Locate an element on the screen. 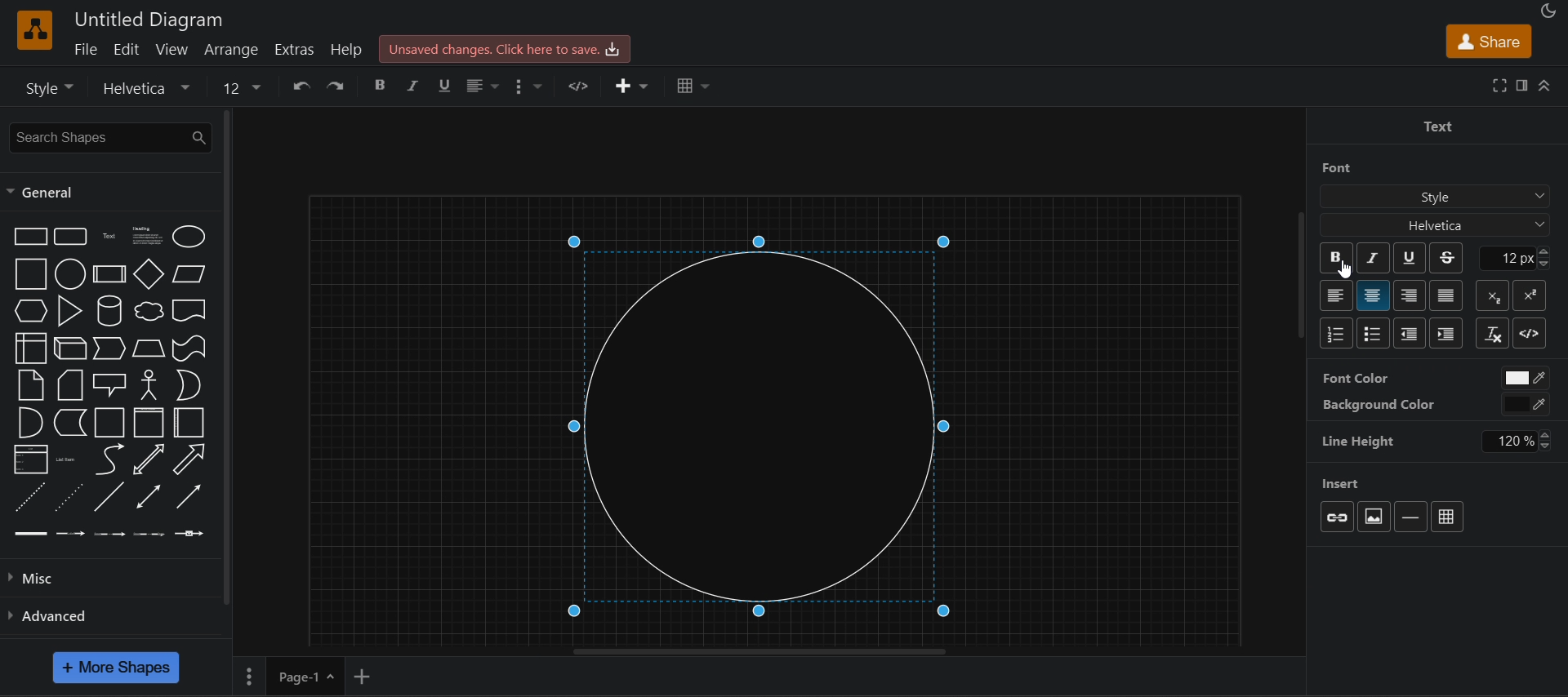 The height and width of the screenshot is (697, 1568). bidirectional arrow is located at coordinates (148, 459).